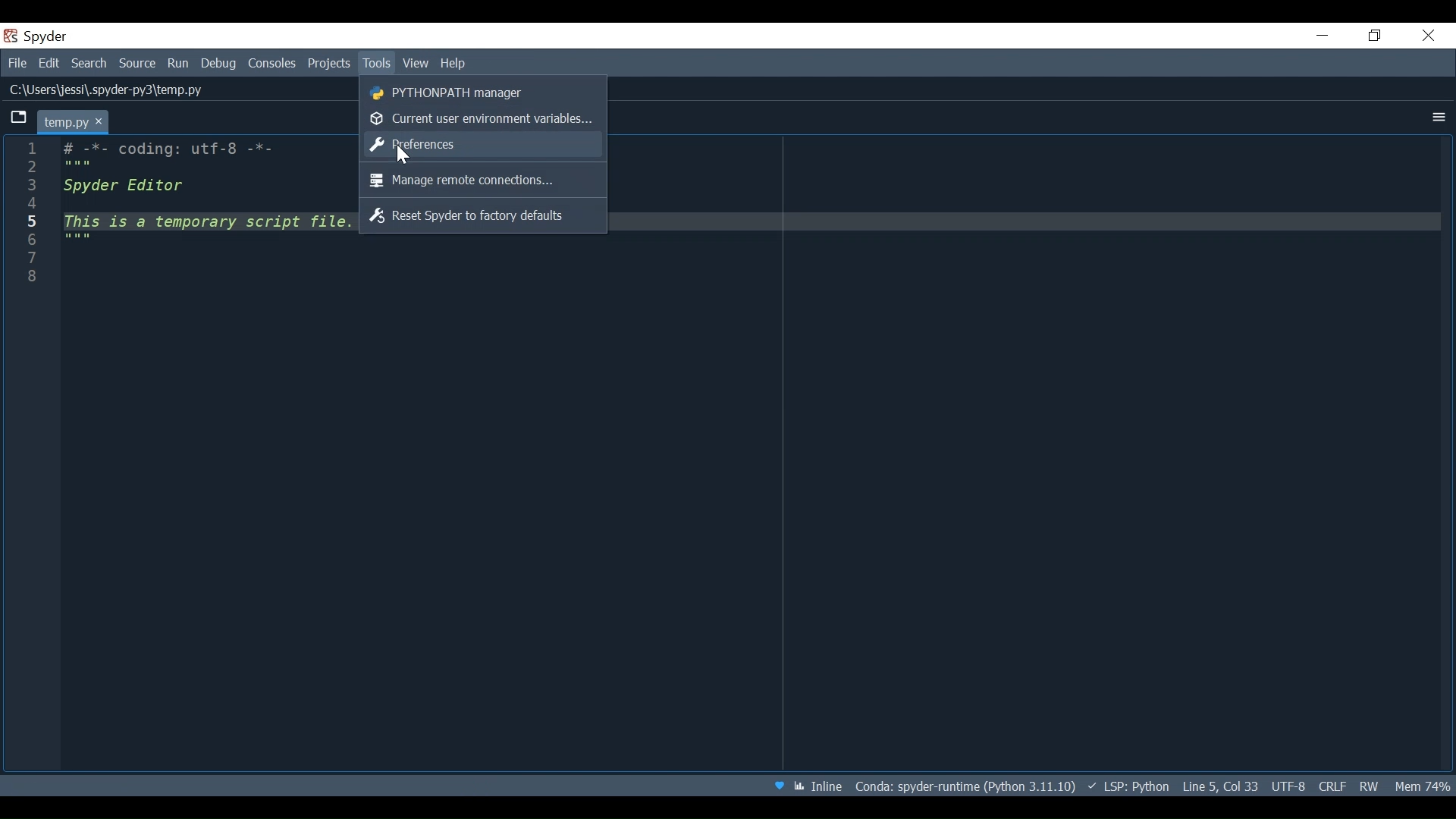  Describe the element at coordinates (1221, 785) in the screenshot. I see `Cursor Position` at that location.